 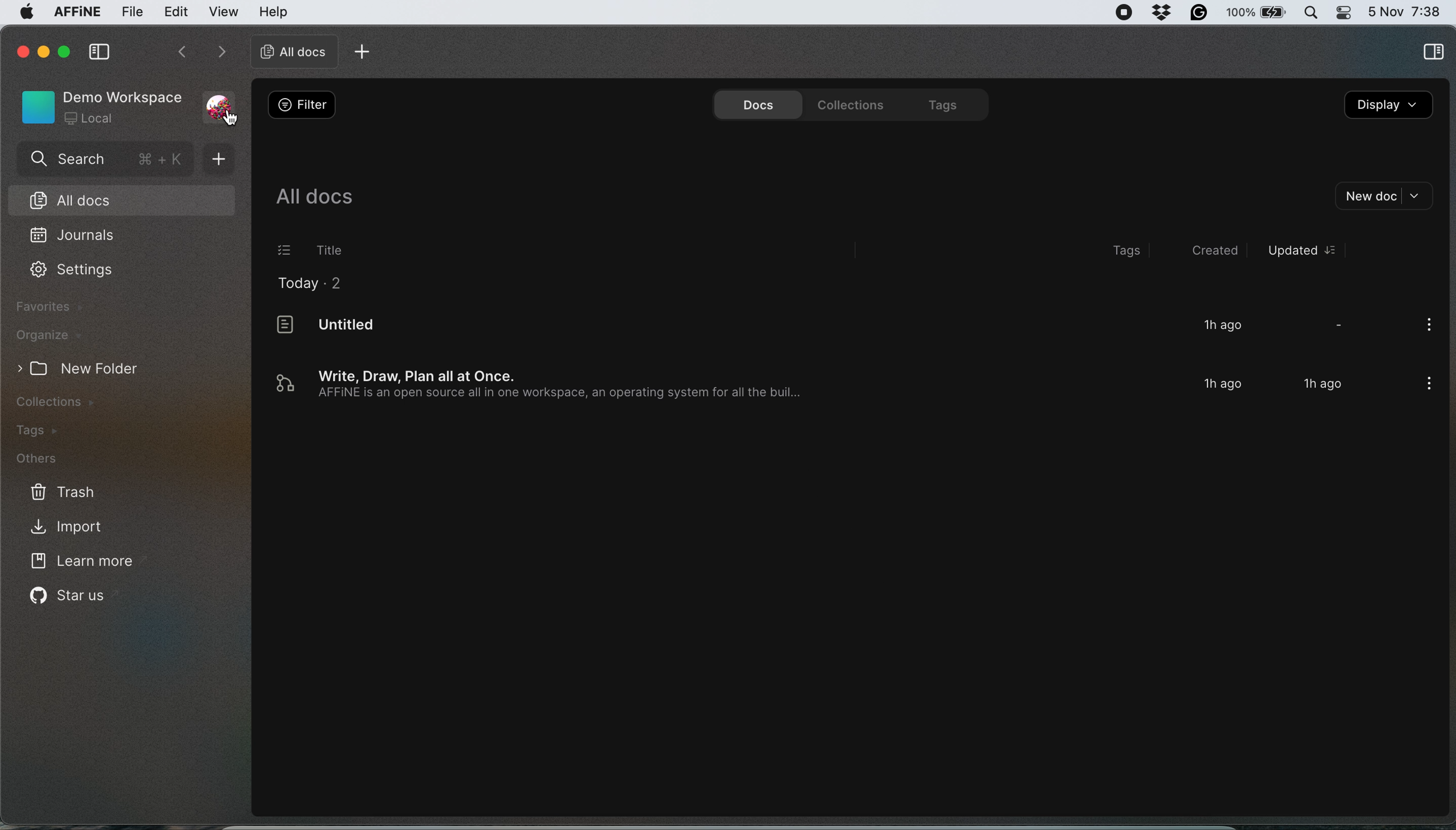 What do you see at coordinates (218, 53) in the screenshot?
I see `forward` at bounding box center [218, 53].